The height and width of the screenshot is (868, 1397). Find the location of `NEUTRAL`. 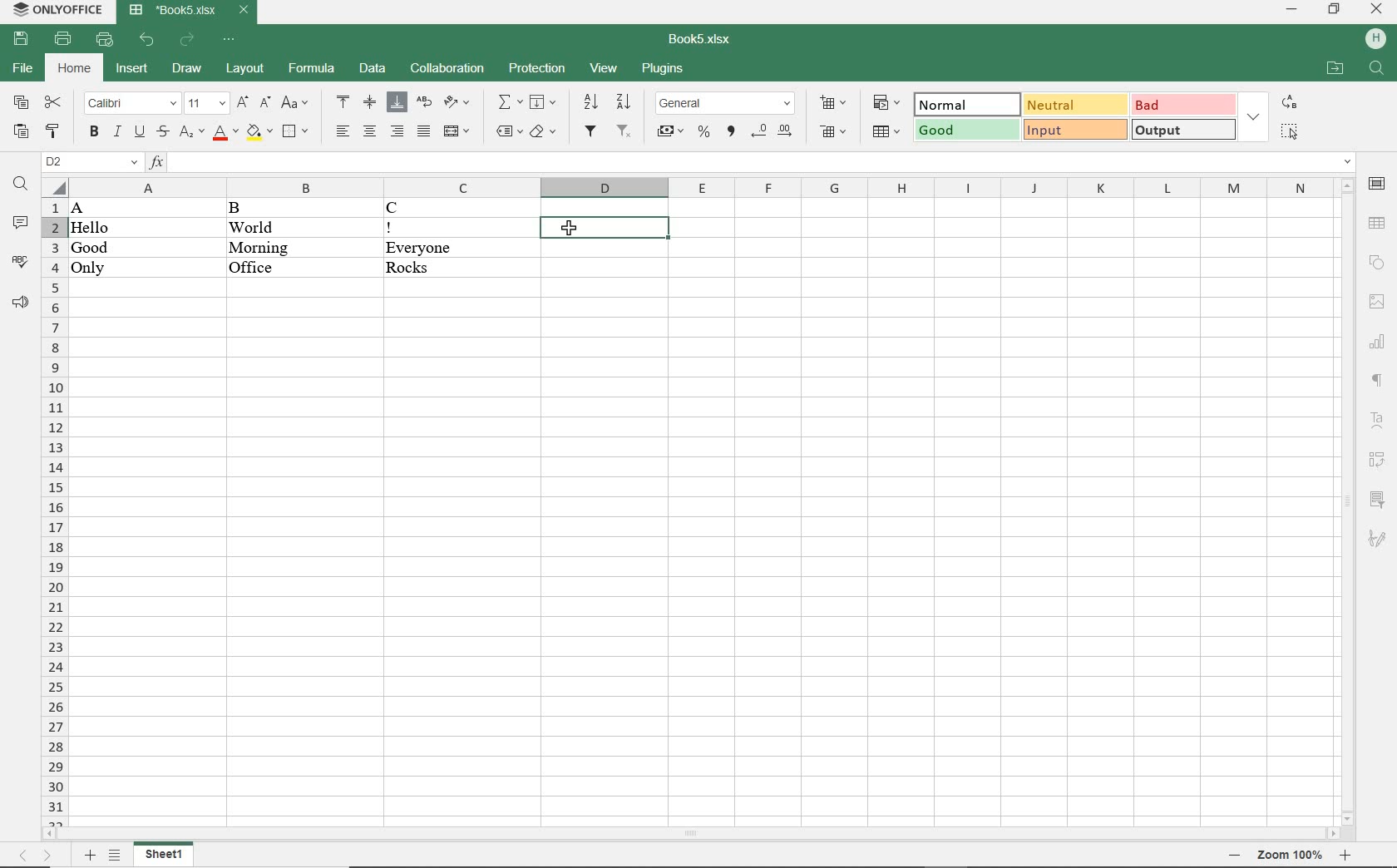

NEUTRAL is located at coordinates (1075, 105).